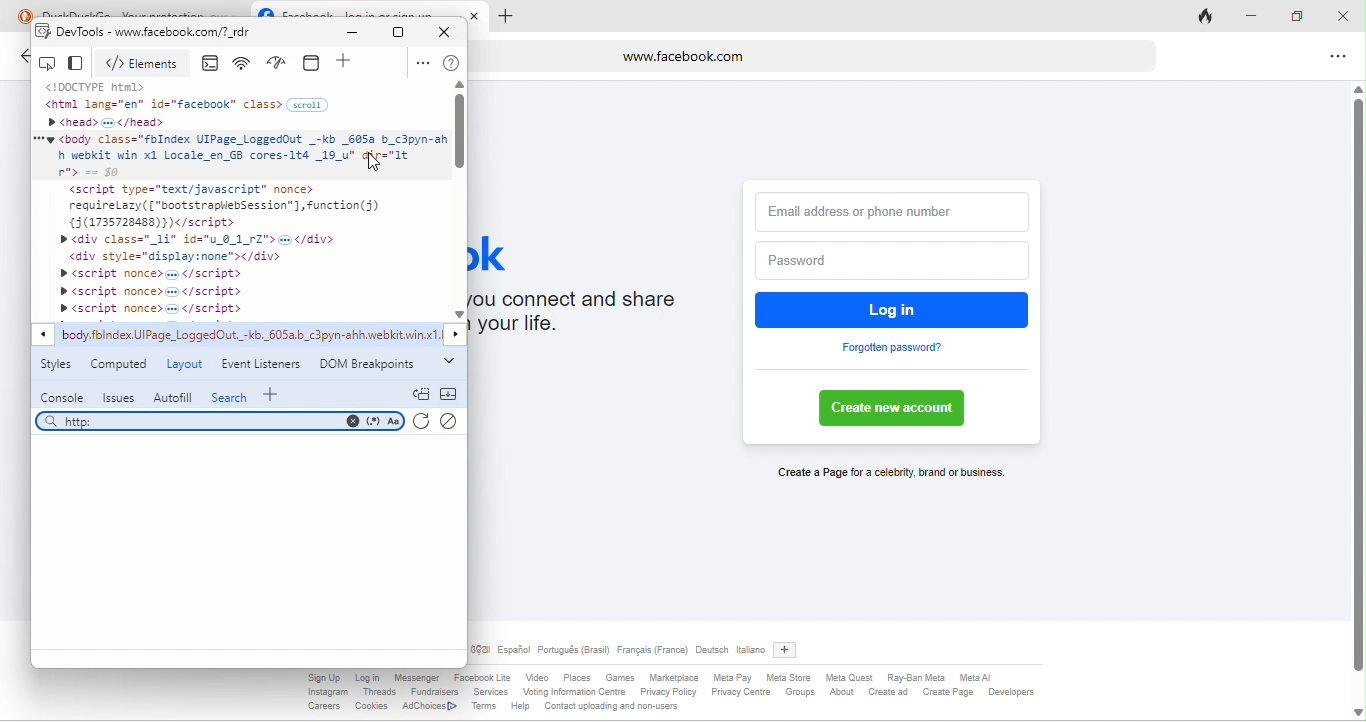 The width and height of the screenshot is (1366, 722). Describe the element at coordinates (505, 17) in the screenshot. I see `add tab` at that location.